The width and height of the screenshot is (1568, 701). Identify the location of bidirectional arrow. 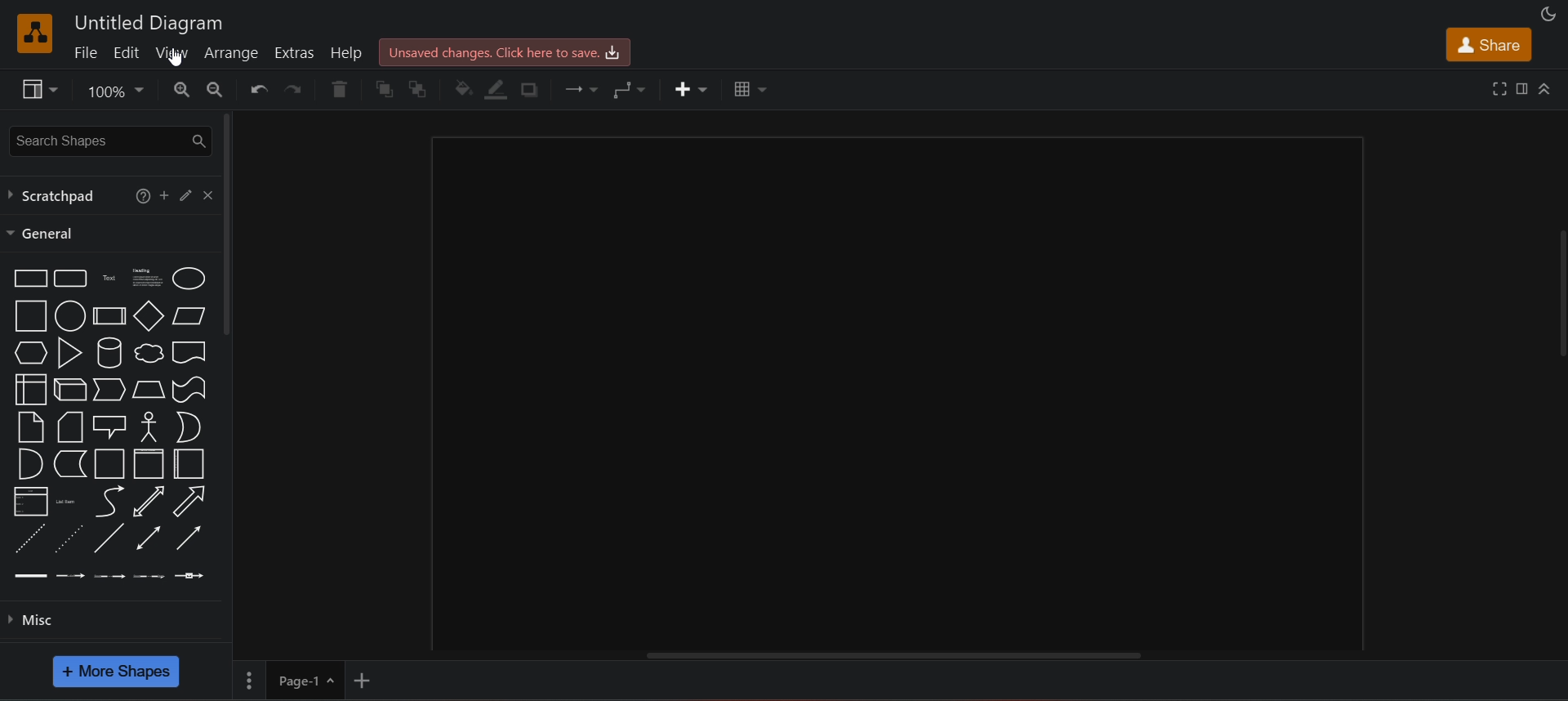
(149, 502).